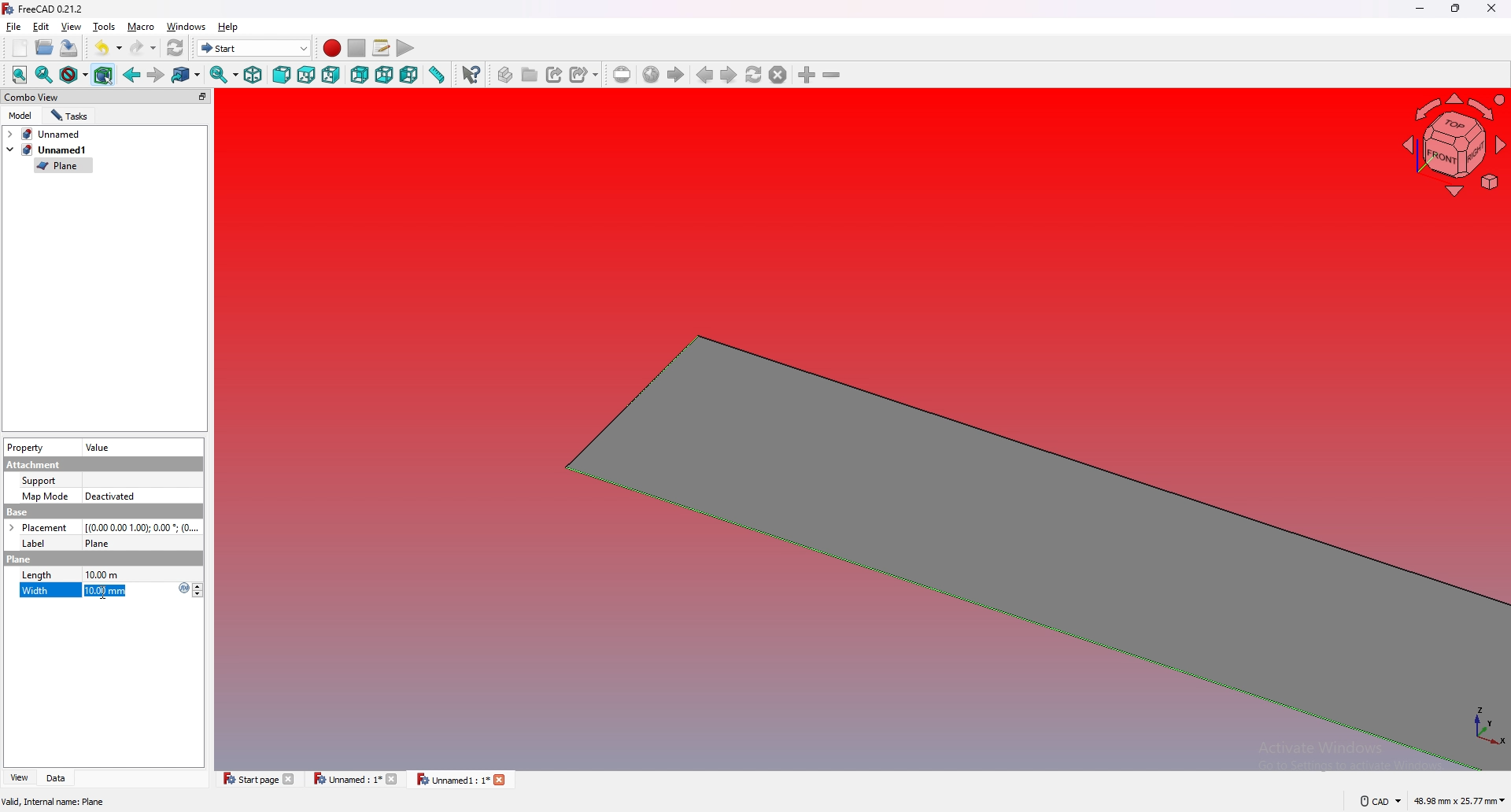 The height and width of the screenshot is (812, 1511). What do you see at coordinates (675, 75) in the screenshot?
I see `start page` at bounding box center [675, 75].